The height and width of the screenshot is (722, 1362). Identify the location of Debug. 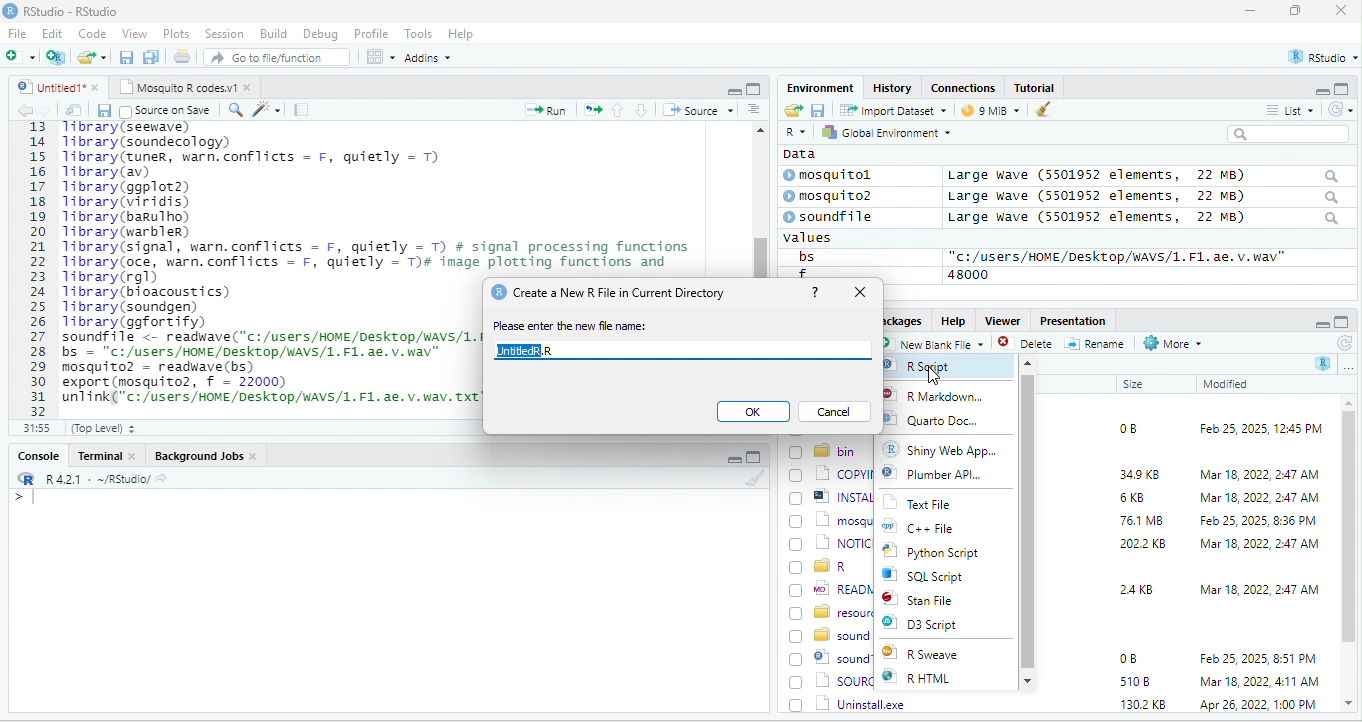
(320, 33).